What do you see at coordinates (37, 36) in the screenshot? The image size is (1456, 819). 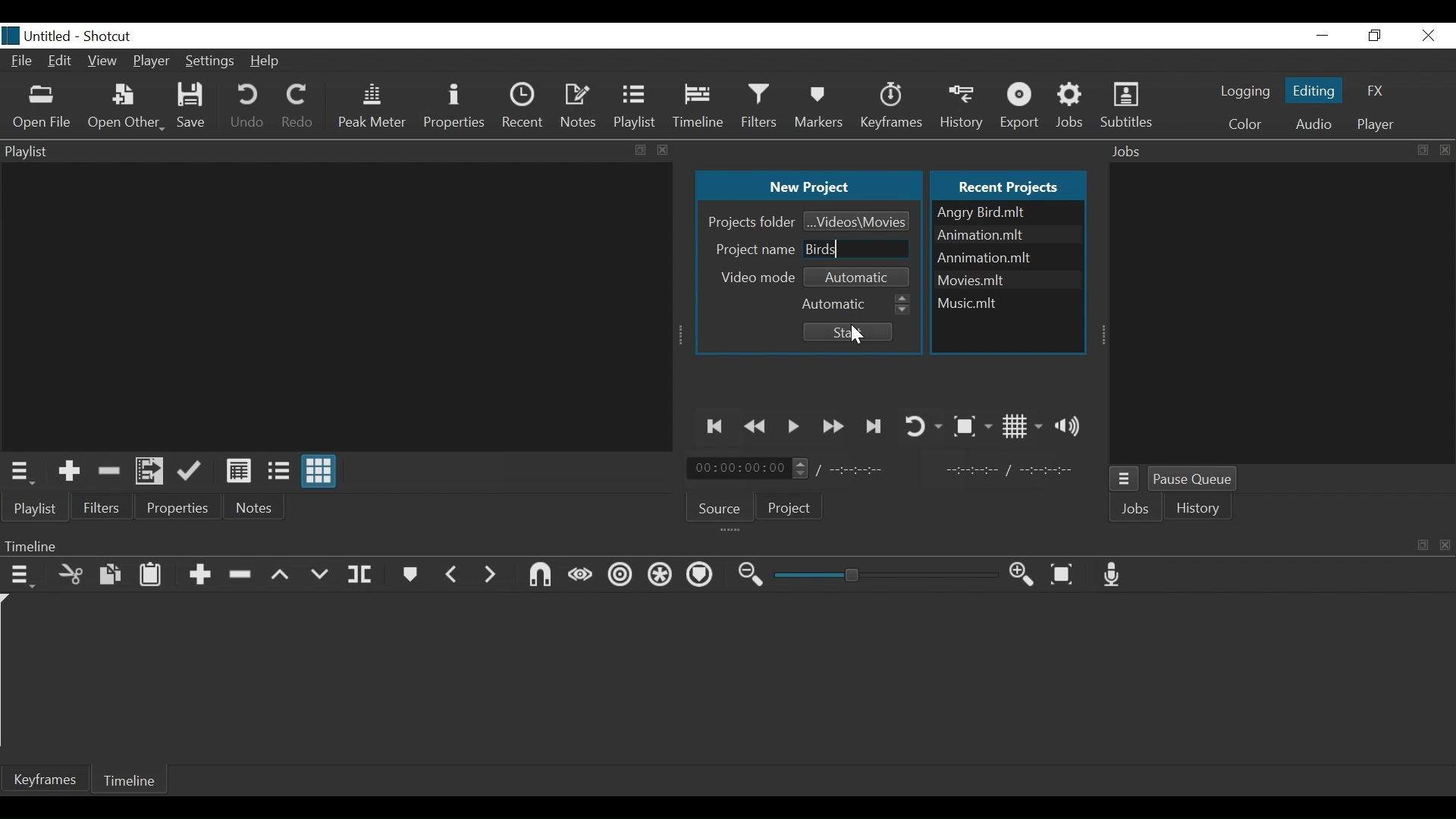 I see `File name` at bounding box center [37, 36].